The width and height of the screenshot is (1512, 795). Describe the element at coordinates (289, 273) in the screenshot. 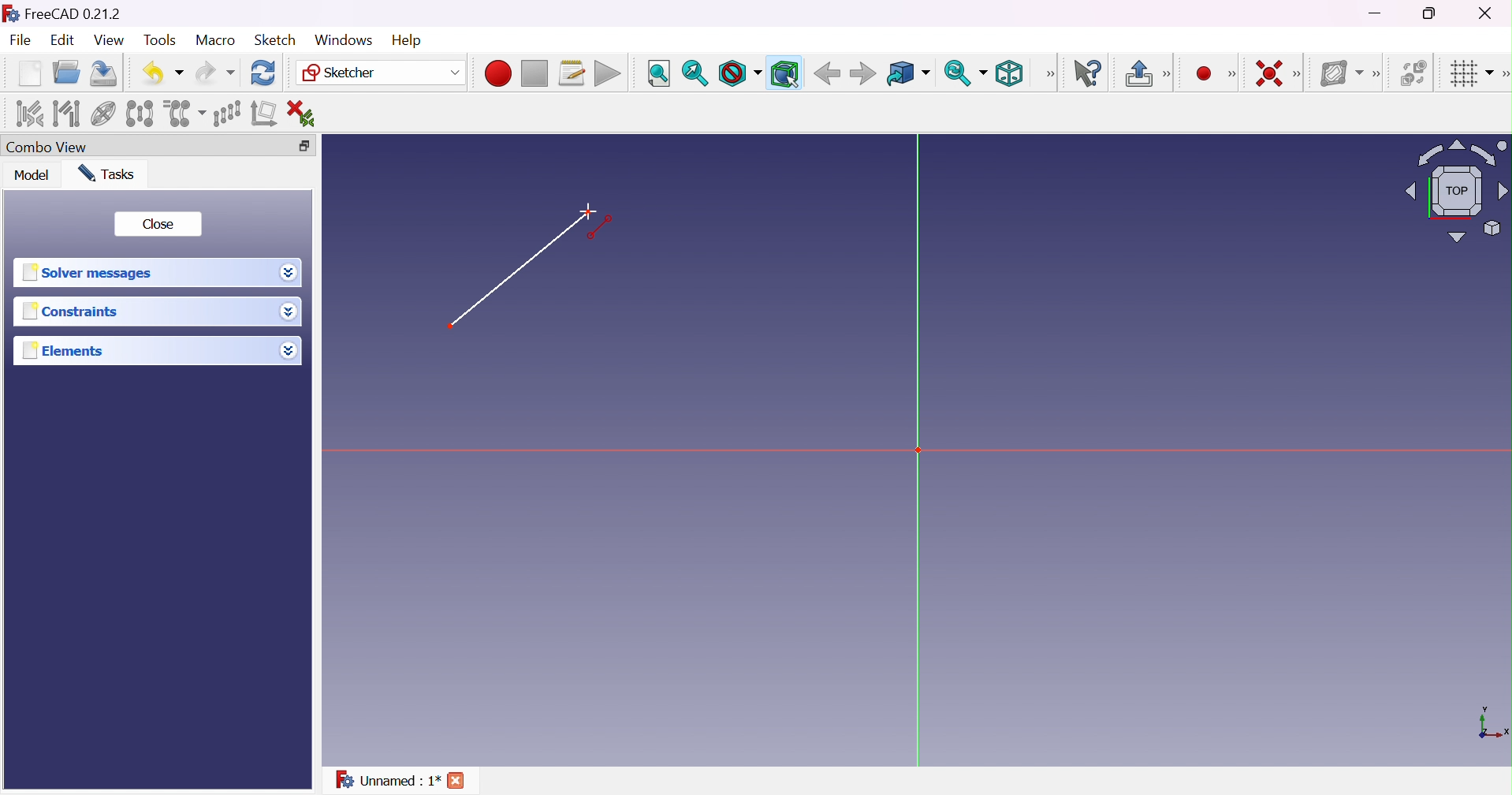

I see `Drop down` at that location.